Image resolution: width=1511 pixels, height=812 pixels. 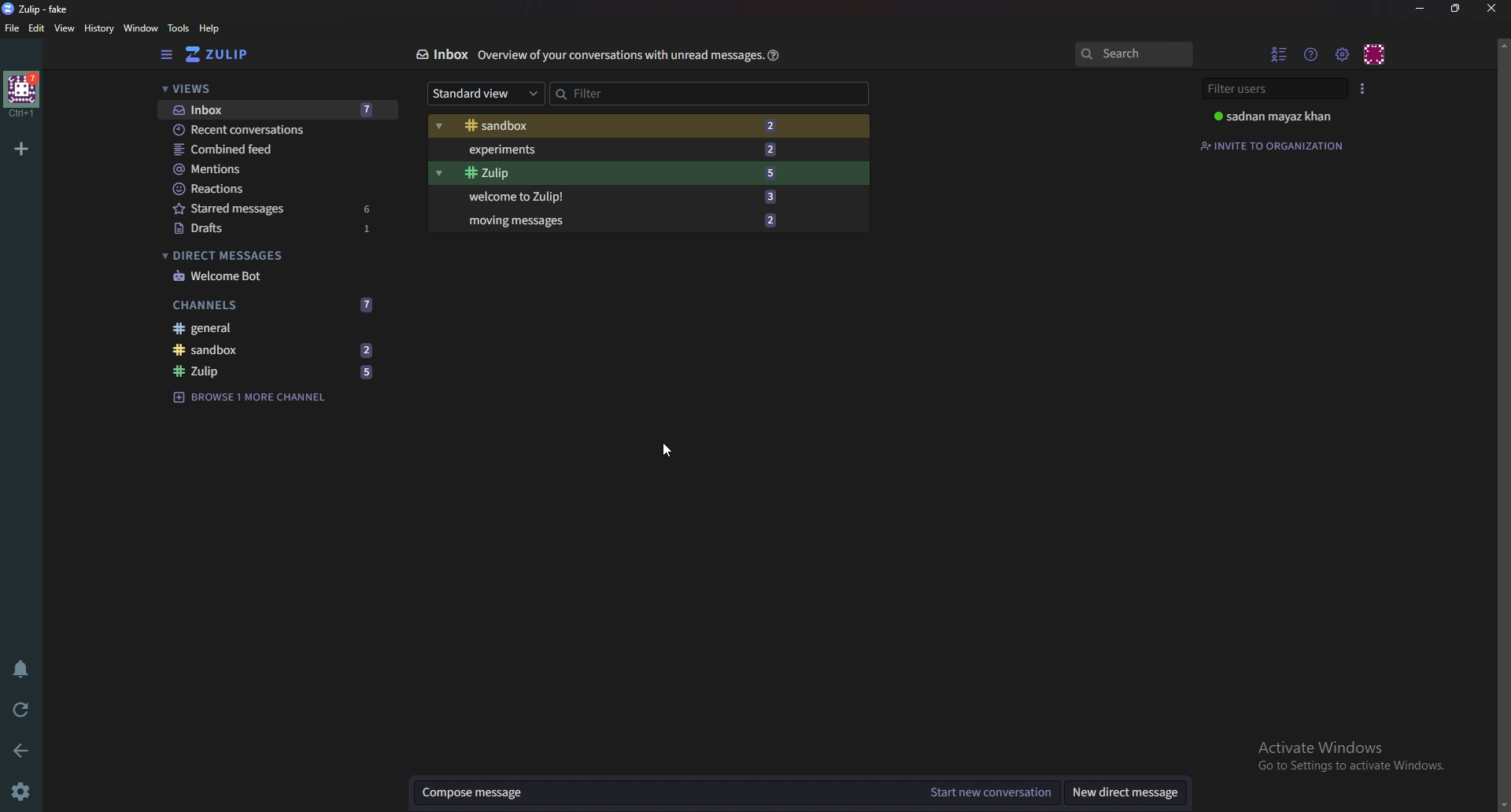 I want to click on Starred messages, so click(x=276, y=207).